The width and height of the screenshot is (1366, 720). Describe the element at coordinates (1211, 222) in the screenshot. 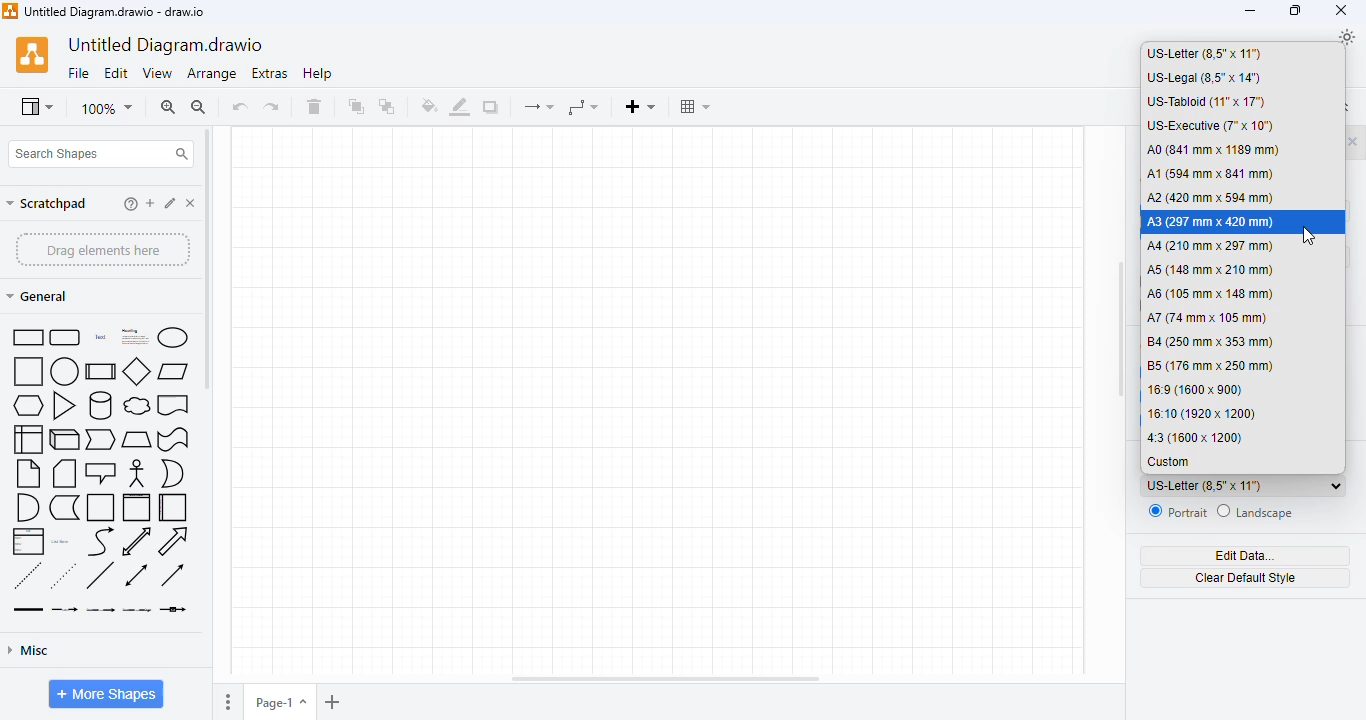

I see `A3` at that location.